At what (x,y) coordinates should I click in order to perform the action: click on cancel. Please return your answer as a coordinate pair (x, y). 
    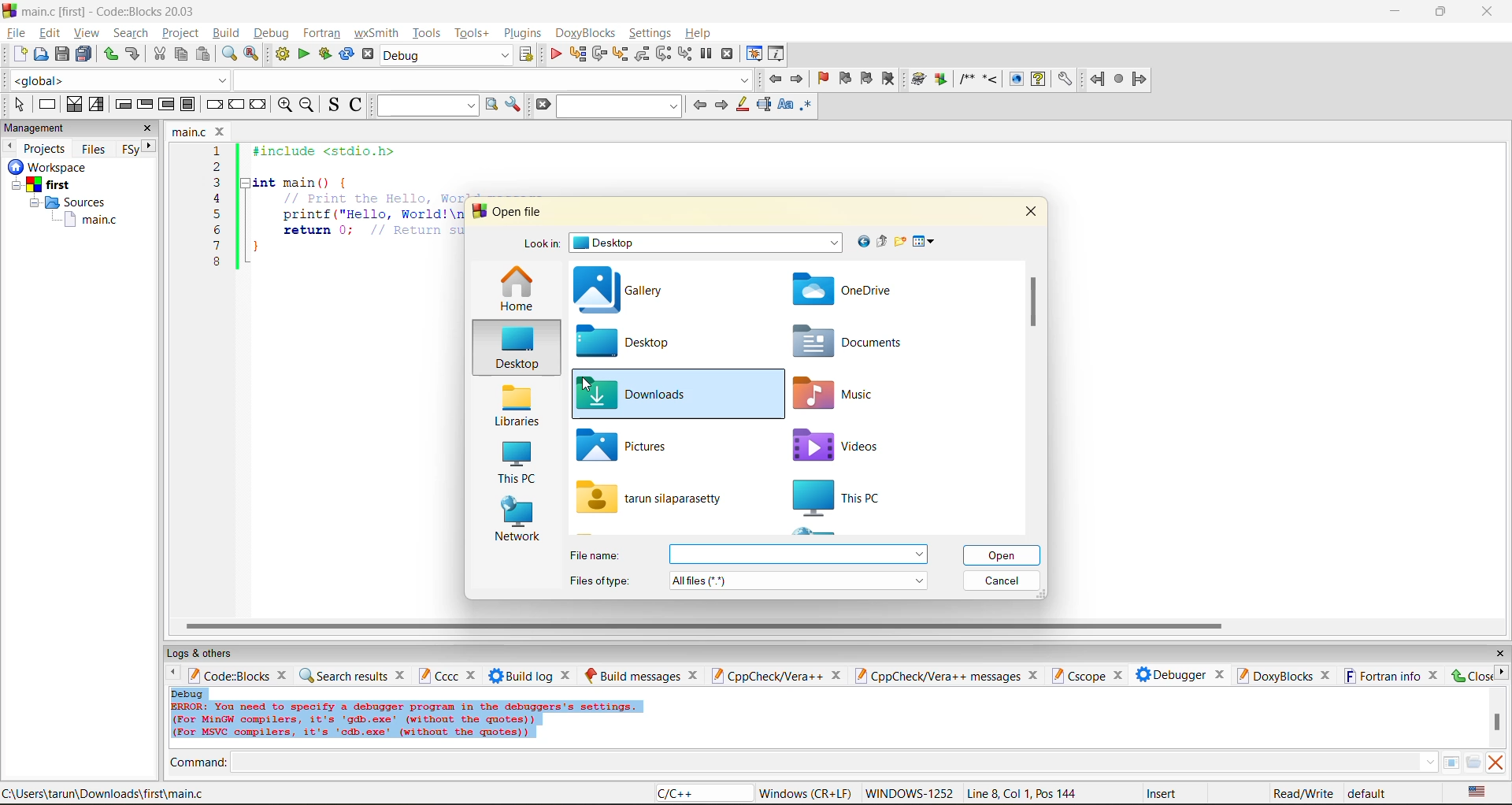
    Looking at the image, I should click on (1003, 581).